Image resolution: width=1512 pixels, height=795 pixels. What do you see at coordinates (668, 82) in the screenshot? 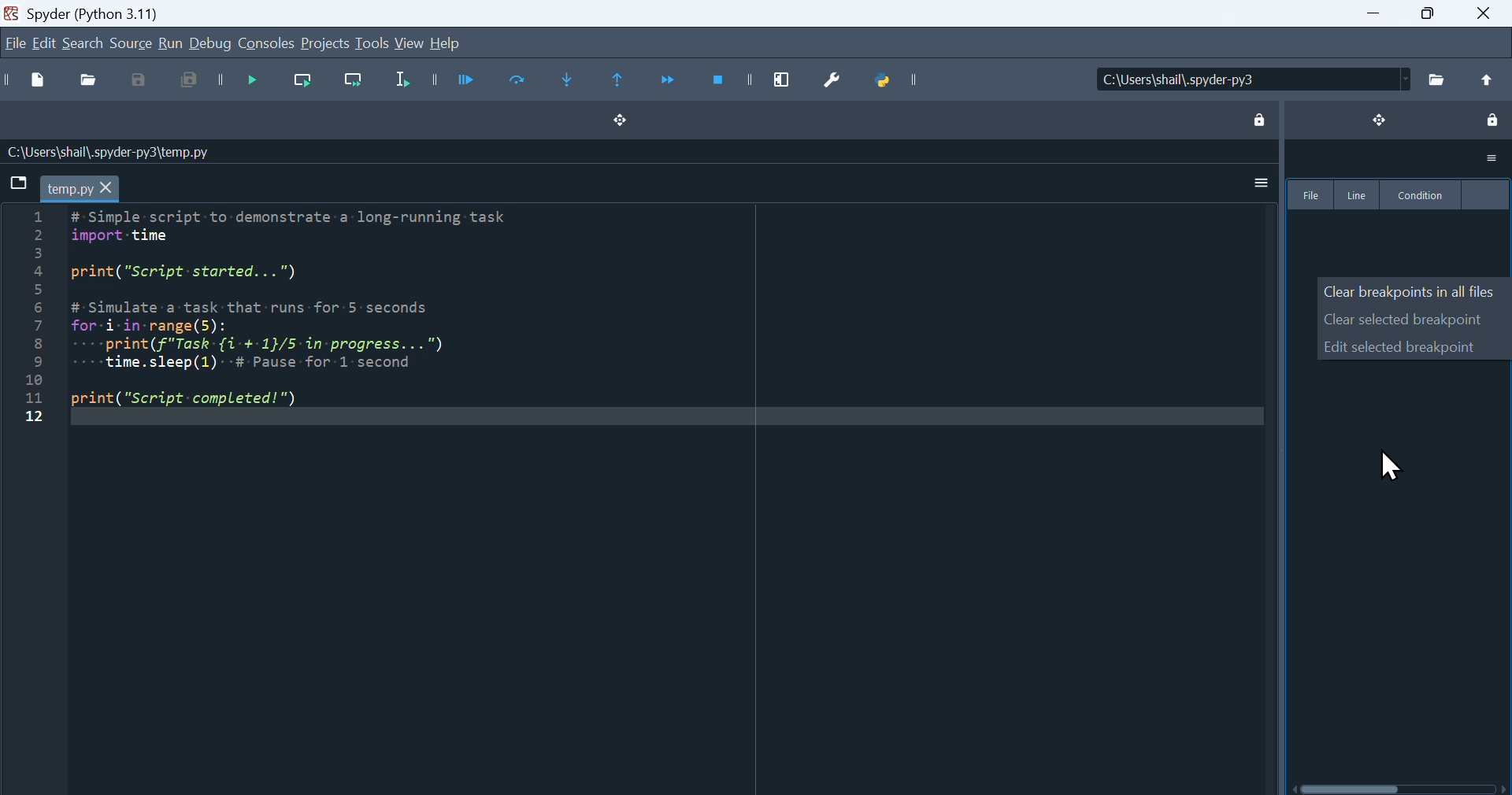
I see `Continue execution until next function` at bounding box center [668, 82].